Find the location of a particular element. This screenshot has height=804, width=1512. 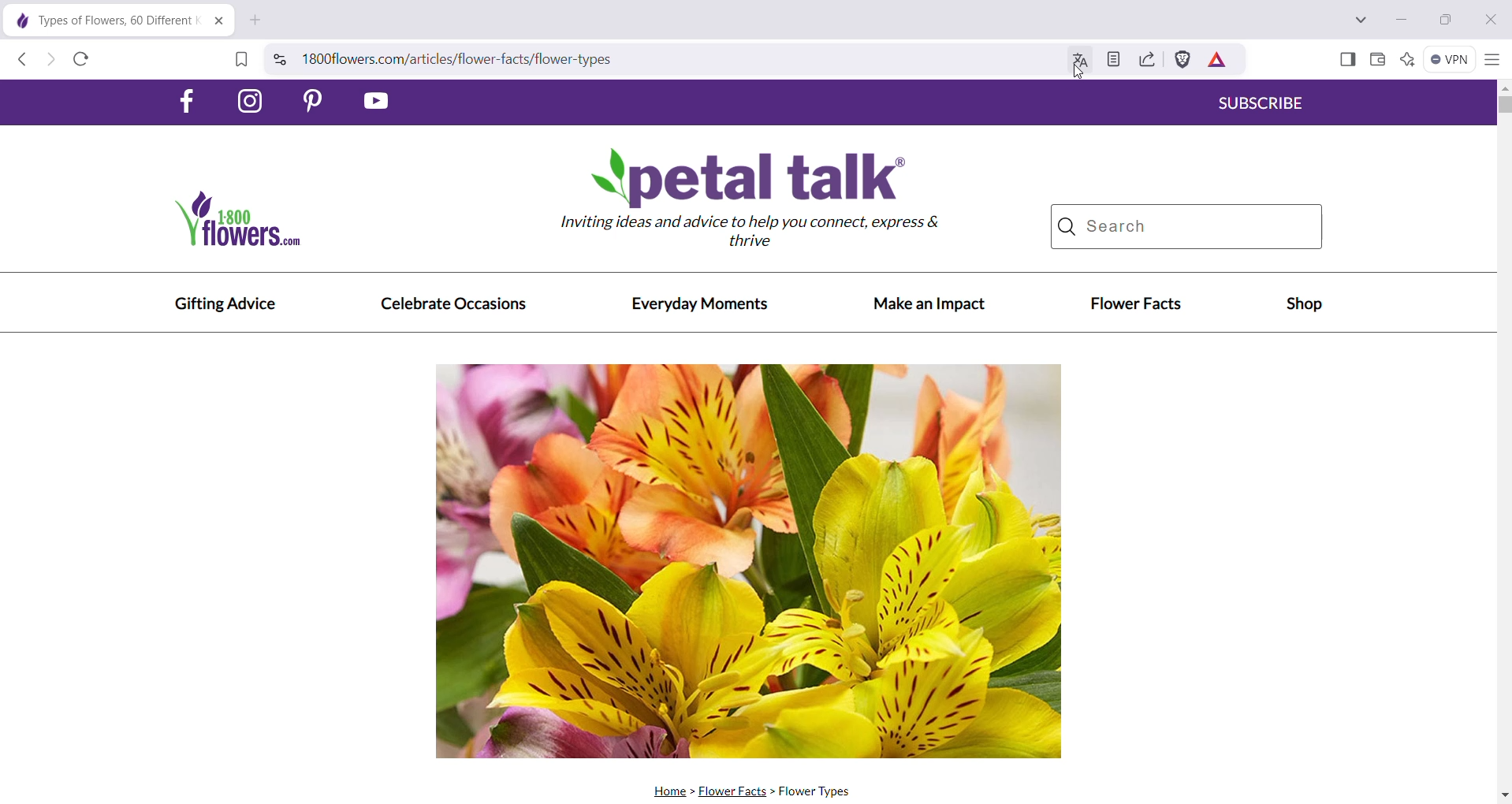

Search Brave or type a URL is located at coordinates (656, 60).